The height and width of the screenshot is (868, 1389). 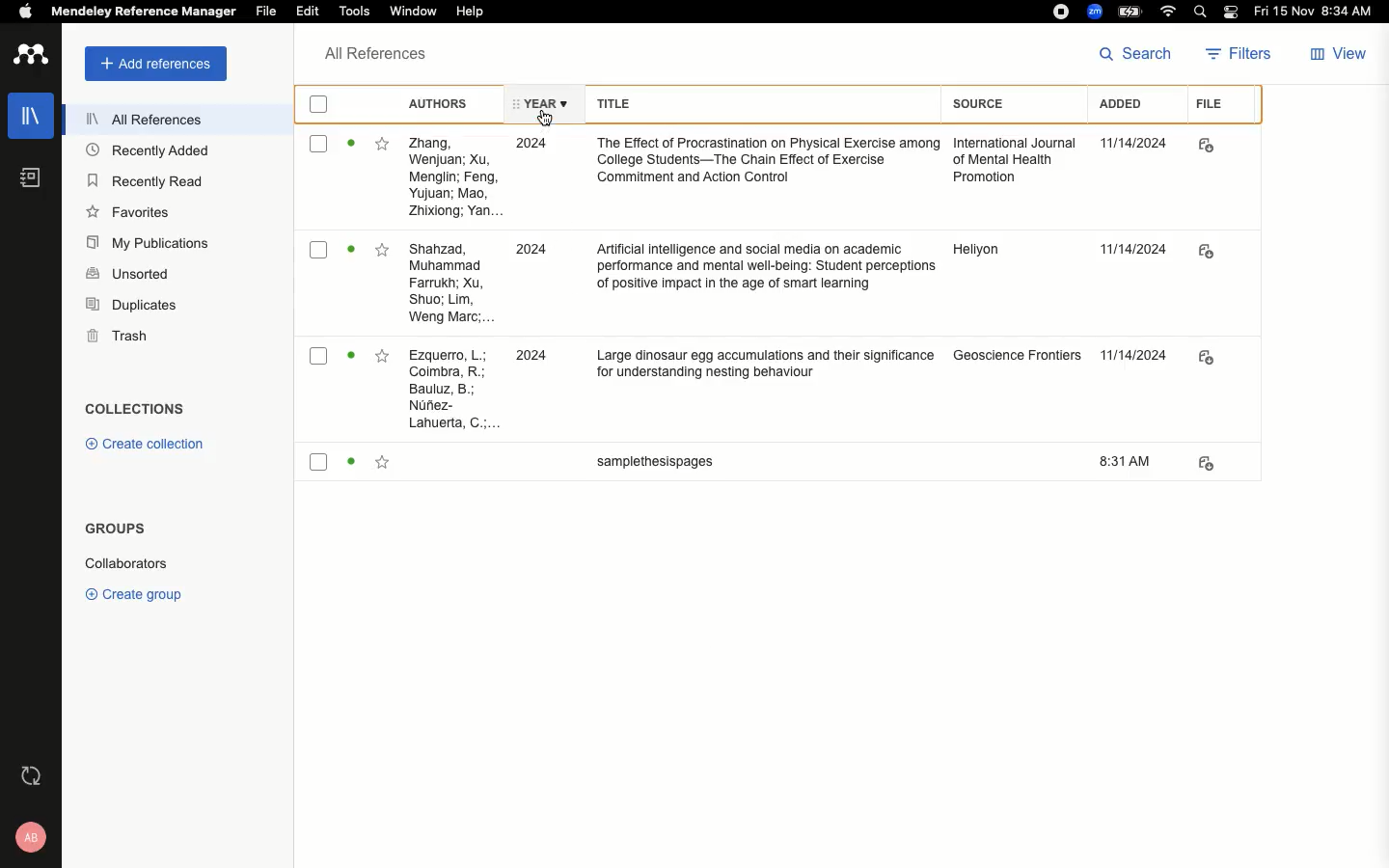 What do you see at coordinates (1319, 12) in the screenshot?
I see `Date/time` at bounding box center [1319, 12].